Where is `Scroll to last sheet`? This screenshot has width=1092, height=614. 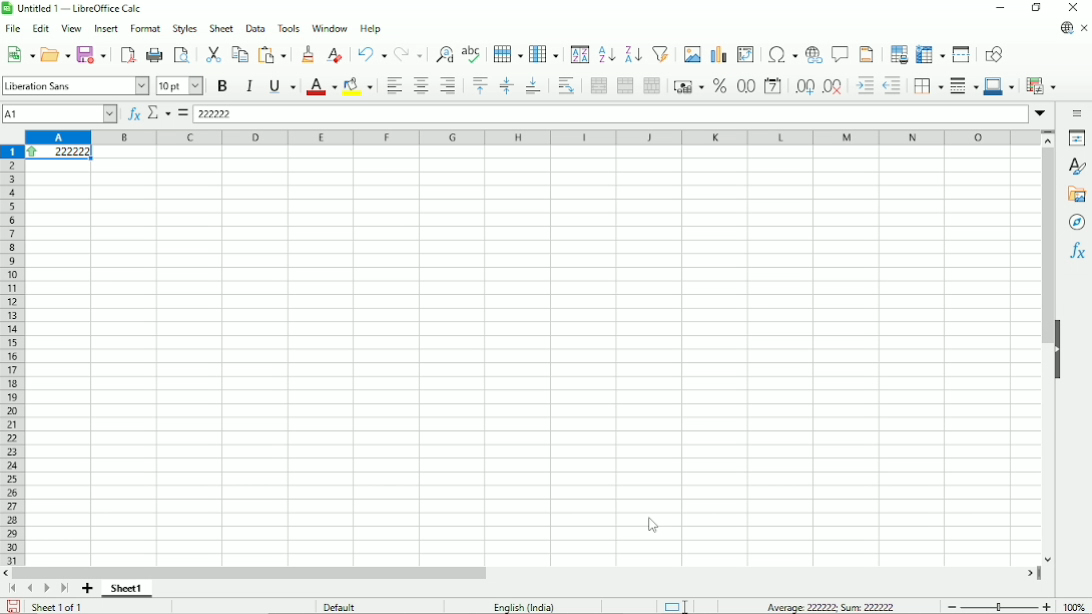 Scroll to last sheet is located at coordinates (64, 589).